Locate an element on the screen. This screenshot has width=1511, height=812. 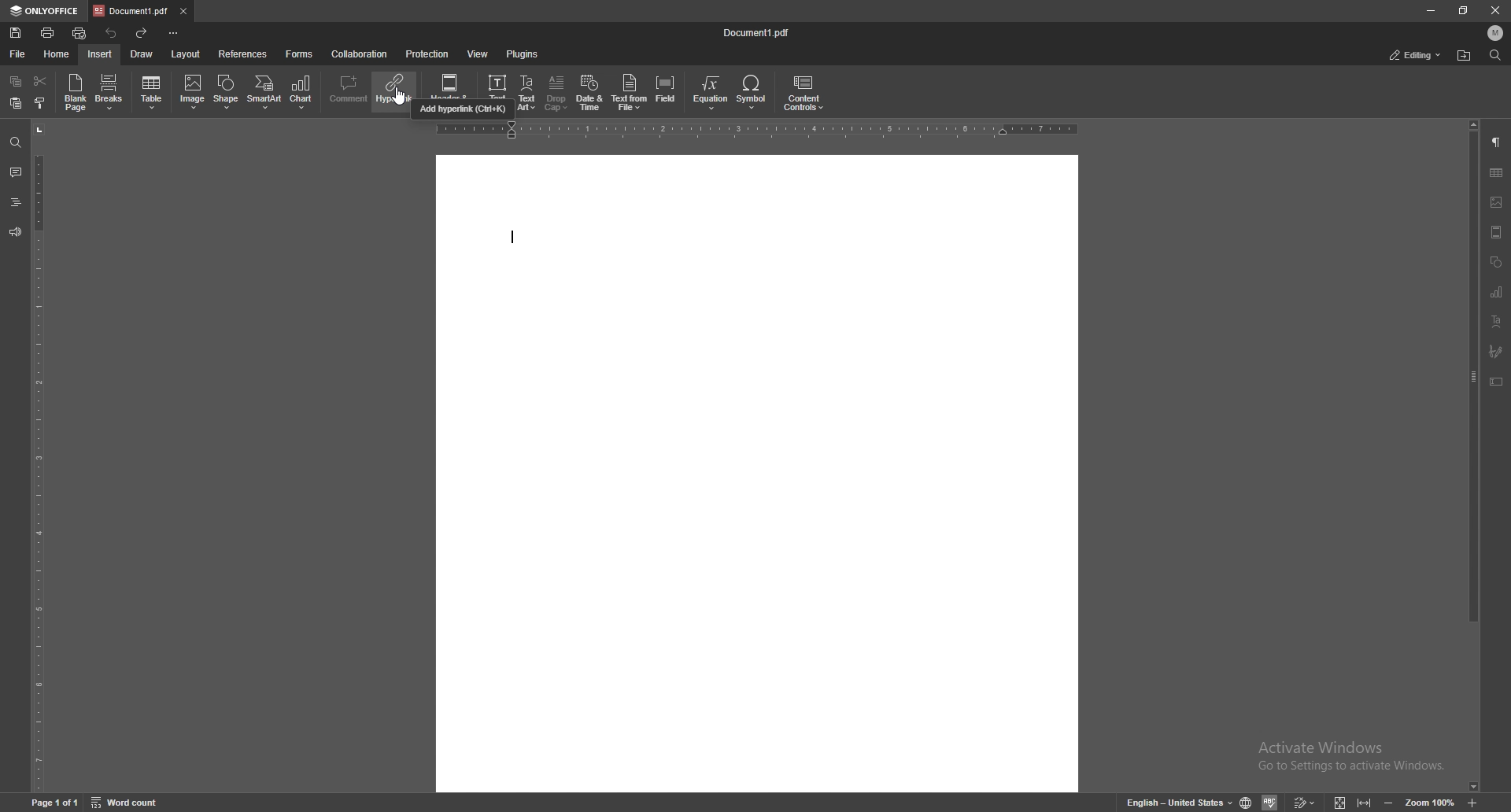
undo is located at coordinates (113, 34).